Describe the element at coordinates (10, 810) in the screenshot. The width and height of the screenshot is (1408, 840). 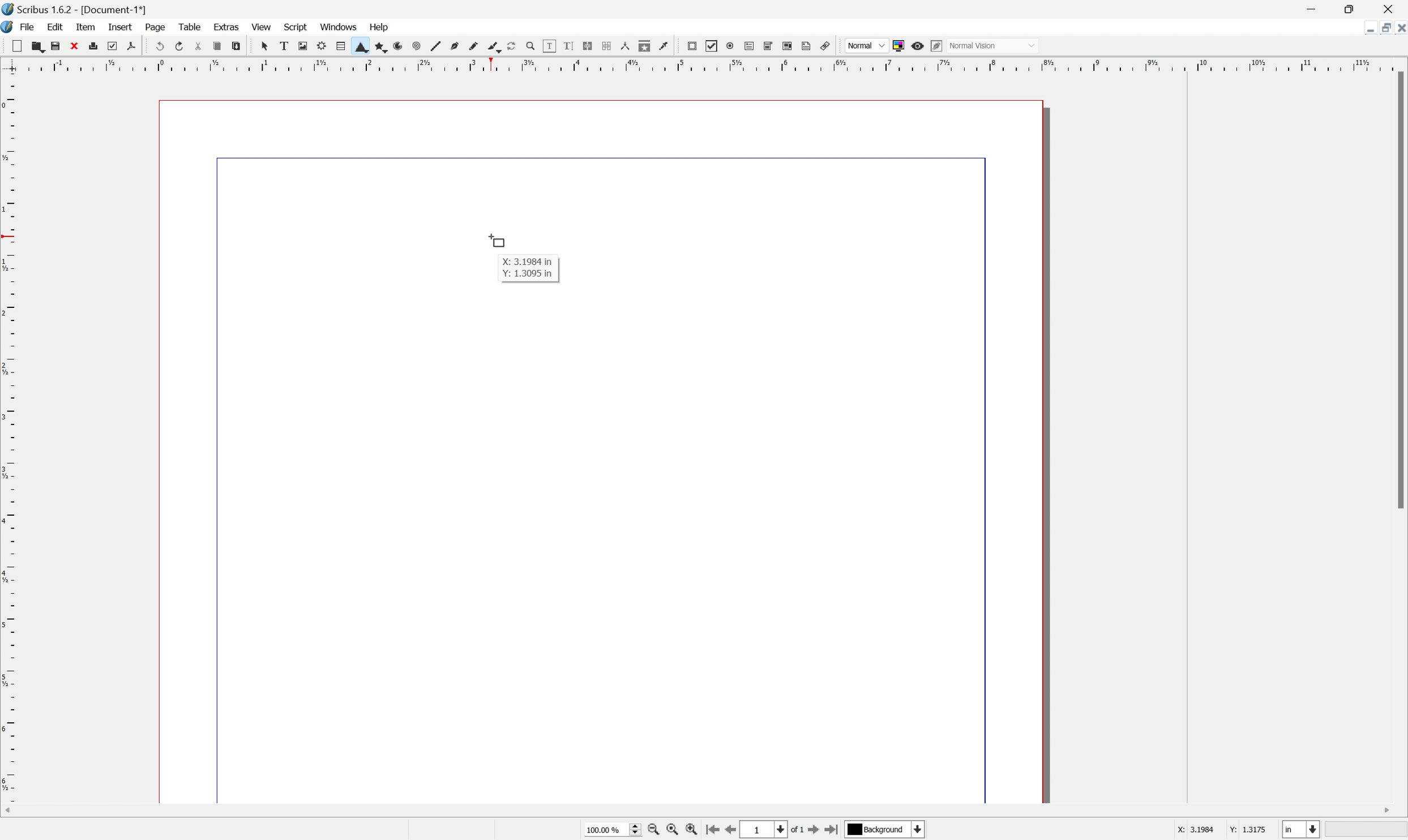
I see `Scroll Left` at that location.